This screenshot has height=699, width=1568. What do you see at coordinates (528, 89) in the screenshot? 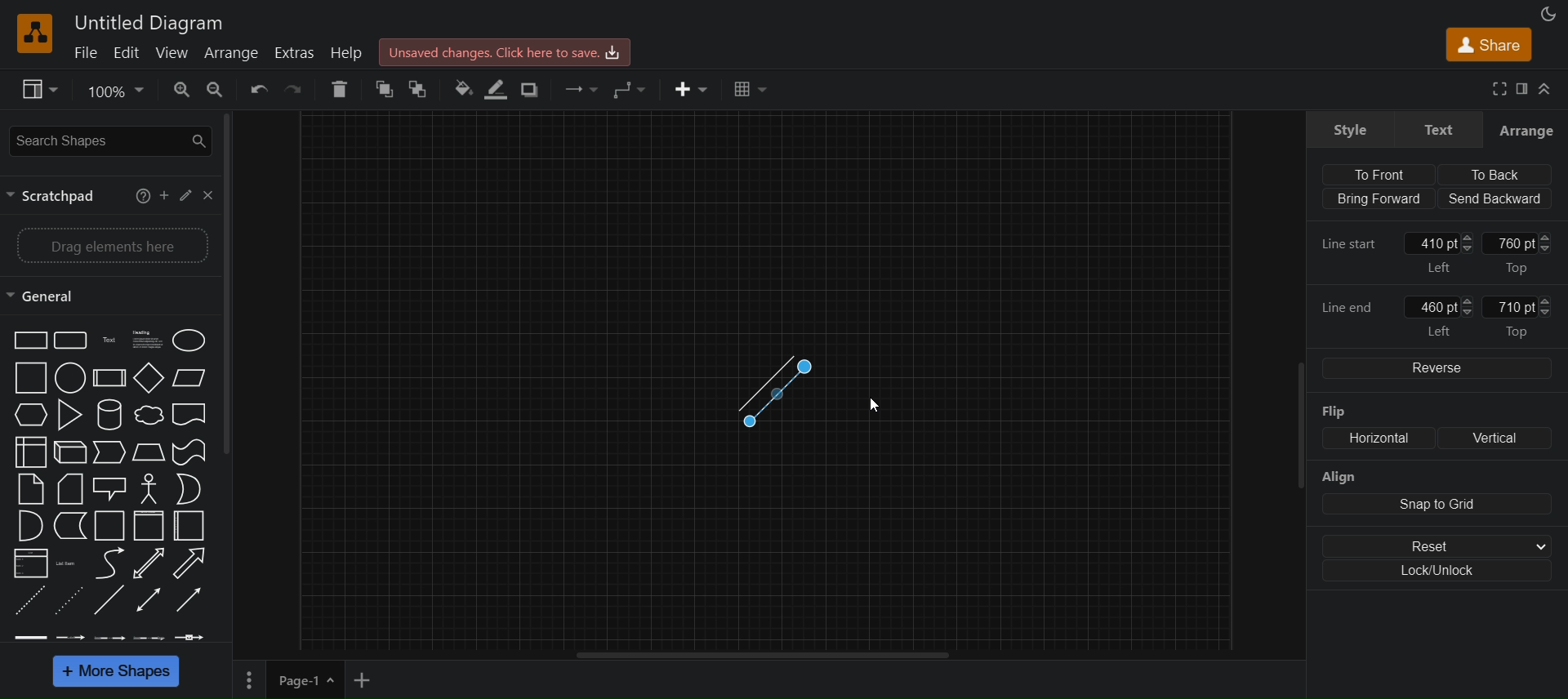
I see `shadow` at bounding box center [528, 89].